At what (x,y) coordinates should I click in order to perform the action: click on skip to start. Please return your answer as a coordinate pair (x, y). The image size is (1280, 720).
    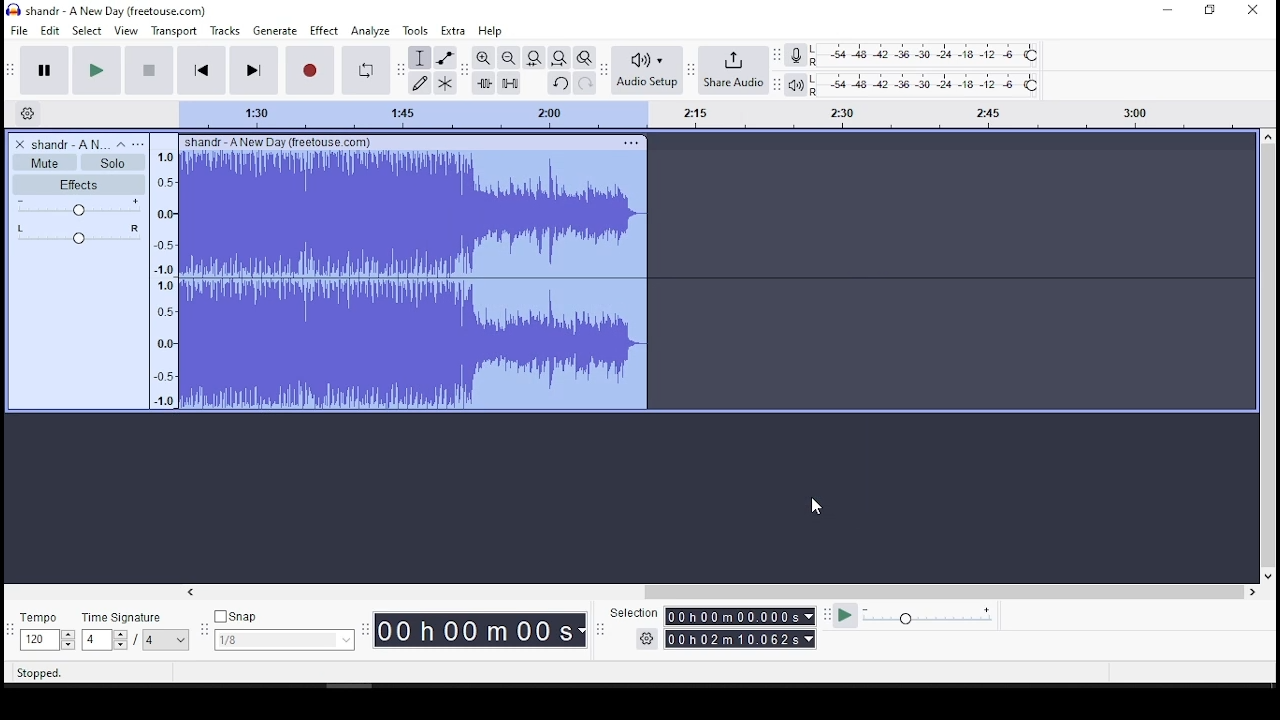
    Looking at the image, I should click on (201, 70).